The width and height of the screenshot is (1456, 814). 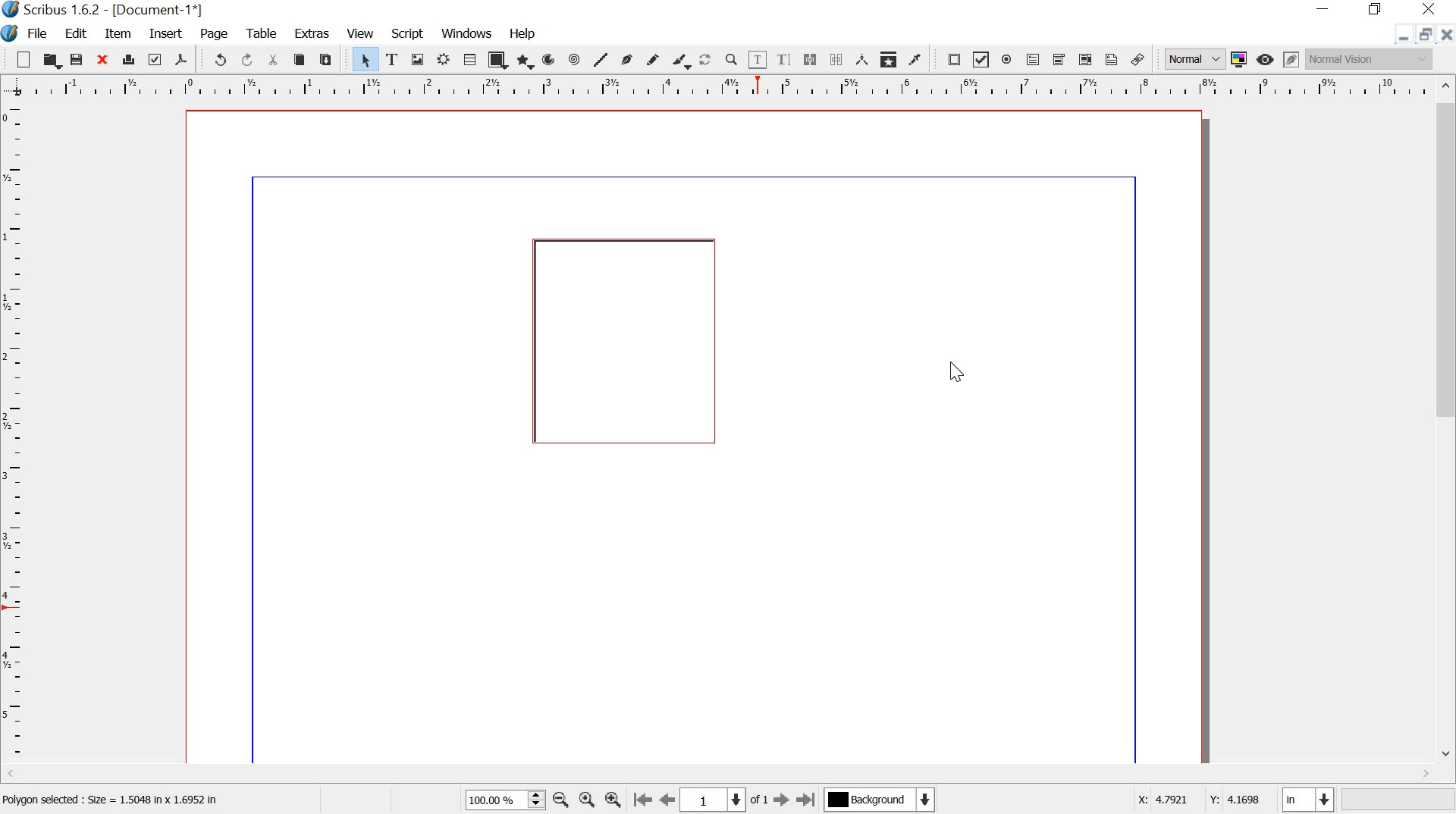 What do you see at coordinates (1292, 59) in the screenshot?
I see `edit in preview mode` at bounding box center [1292, 59].